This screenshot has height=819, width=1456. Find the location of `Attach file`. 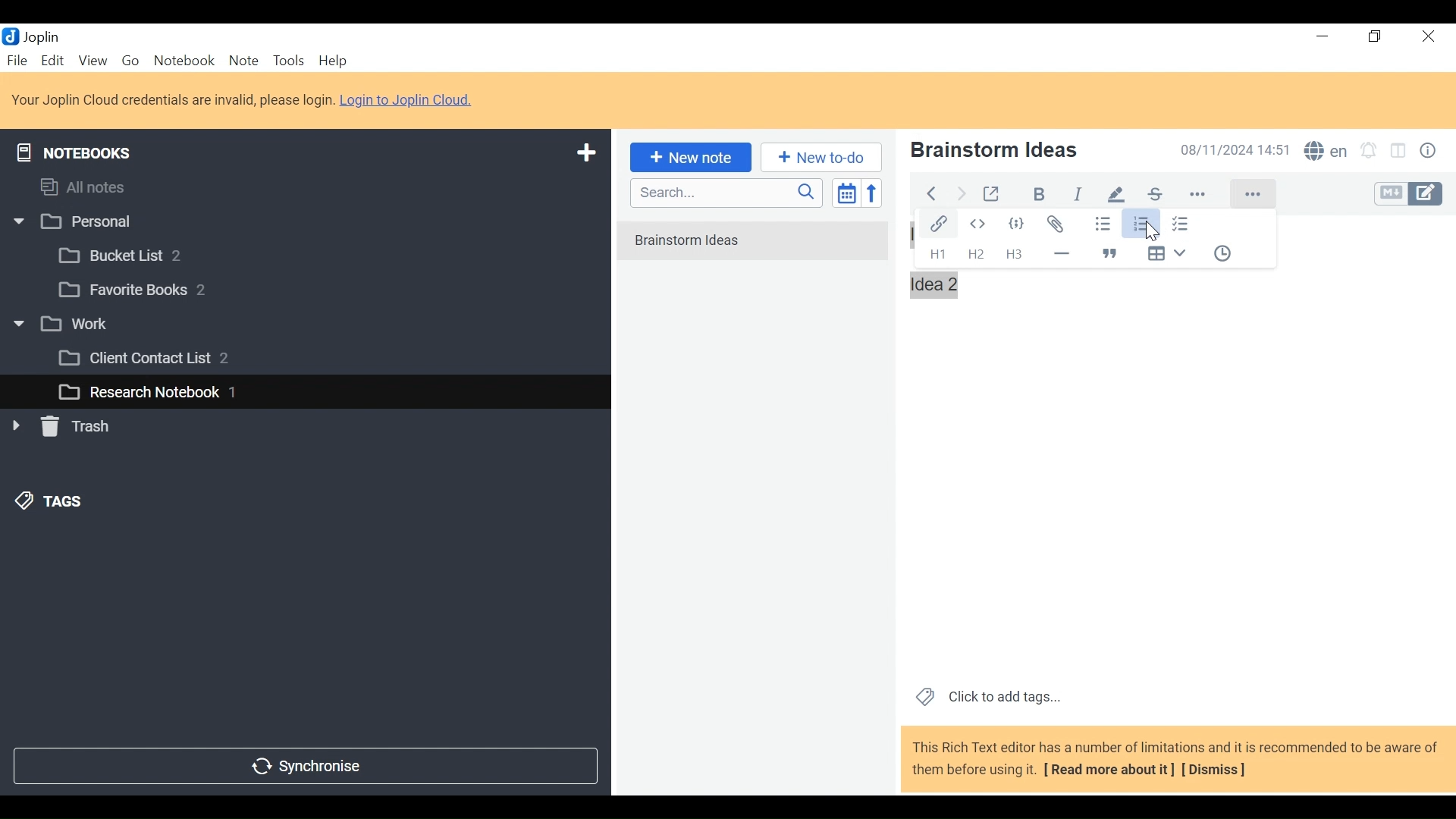

Attach file is located at coordinates (1056, 224).